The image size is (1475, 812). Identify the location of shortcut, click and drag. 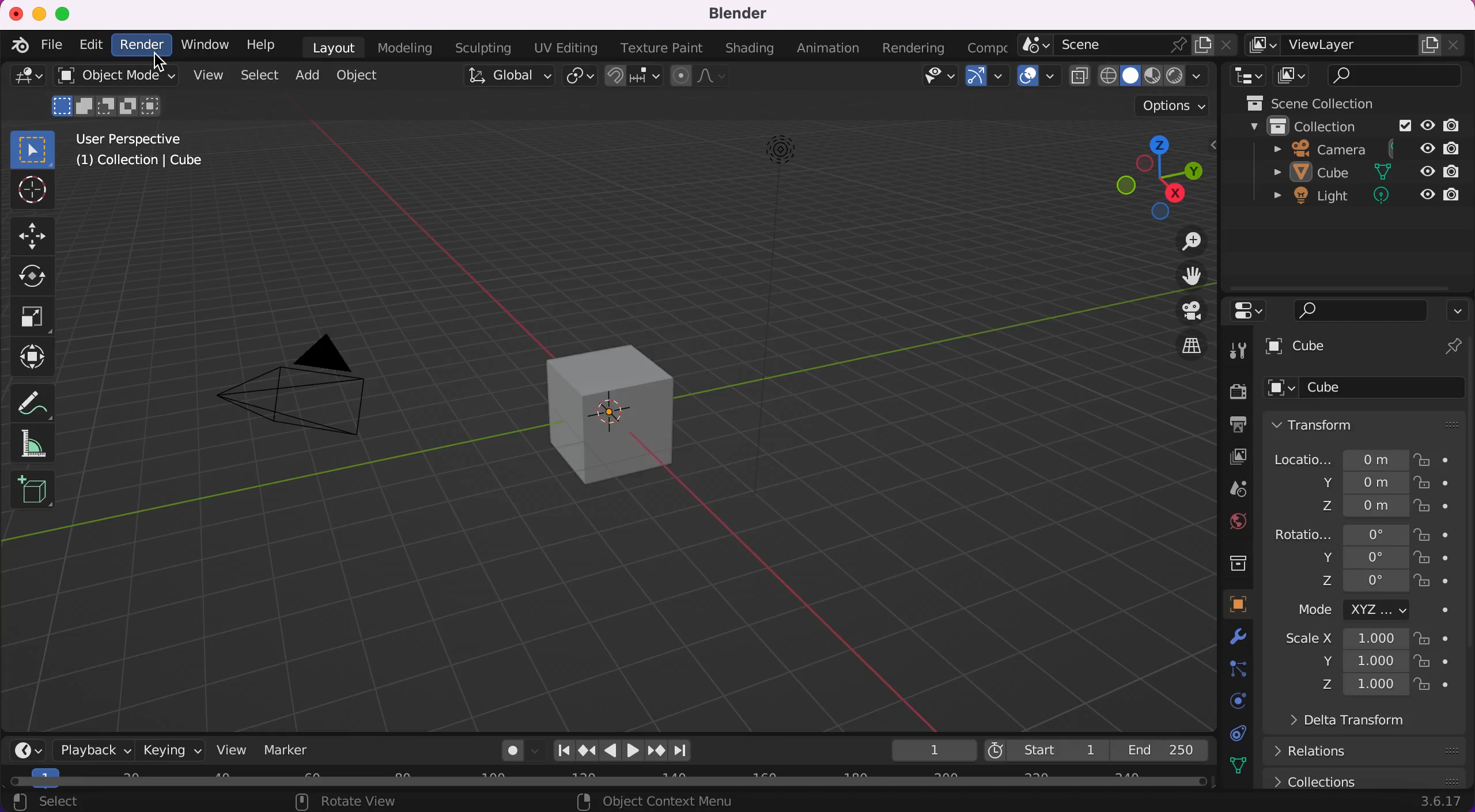
(1156, 176).